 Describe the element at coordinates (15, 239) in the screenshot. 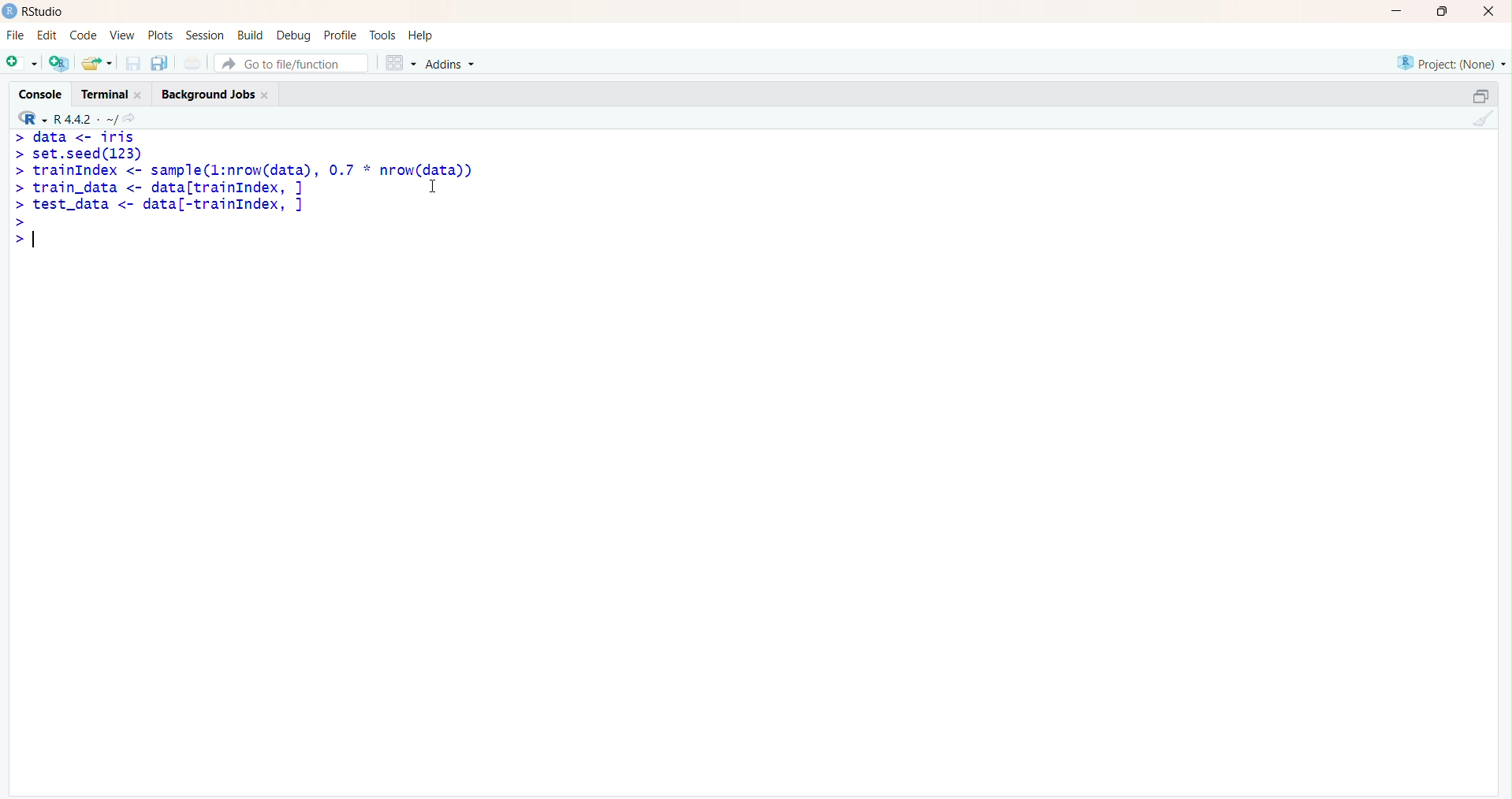

I see `Prompt cursor` at that location.